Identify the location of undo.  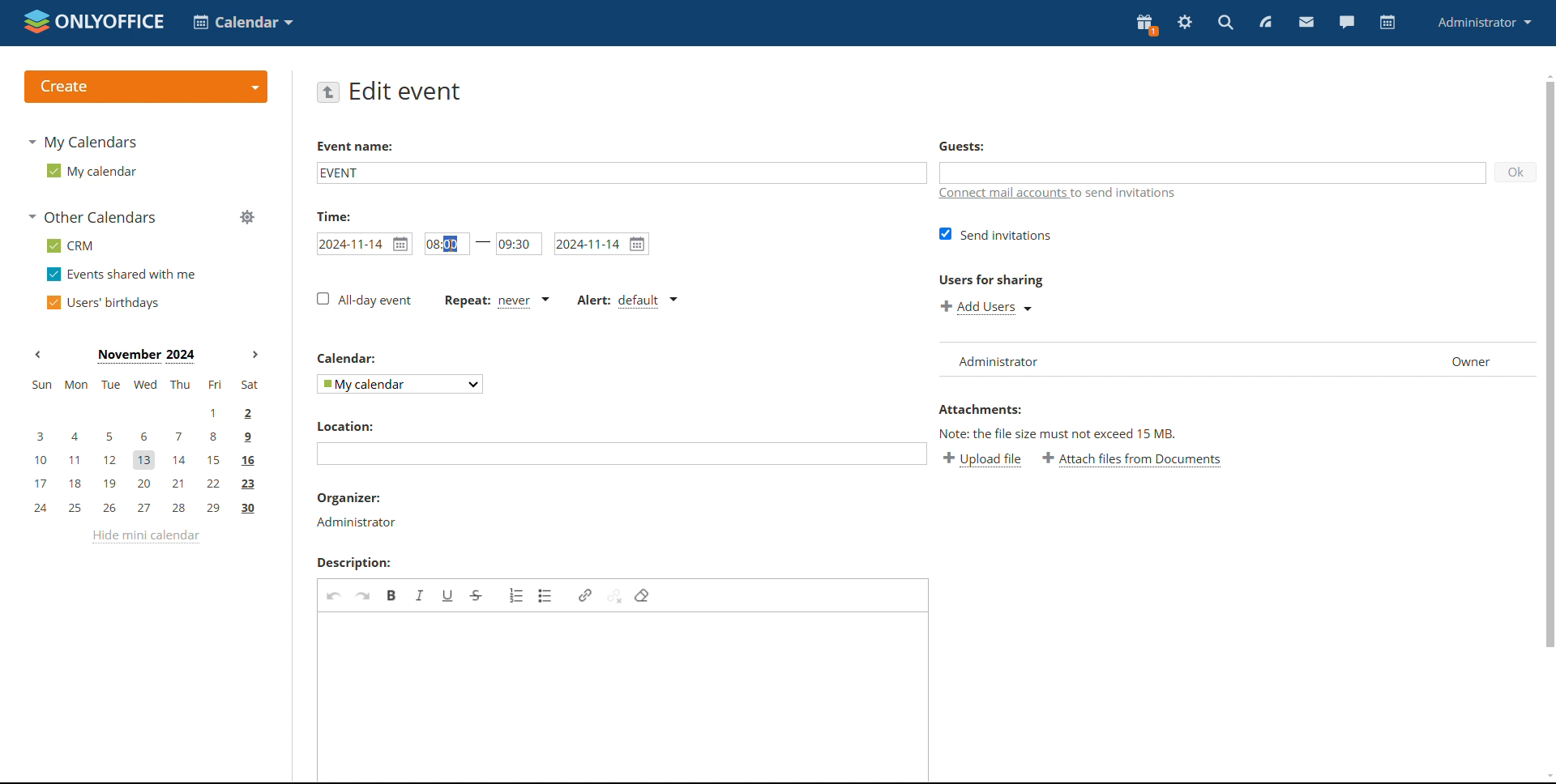
(333, 595).